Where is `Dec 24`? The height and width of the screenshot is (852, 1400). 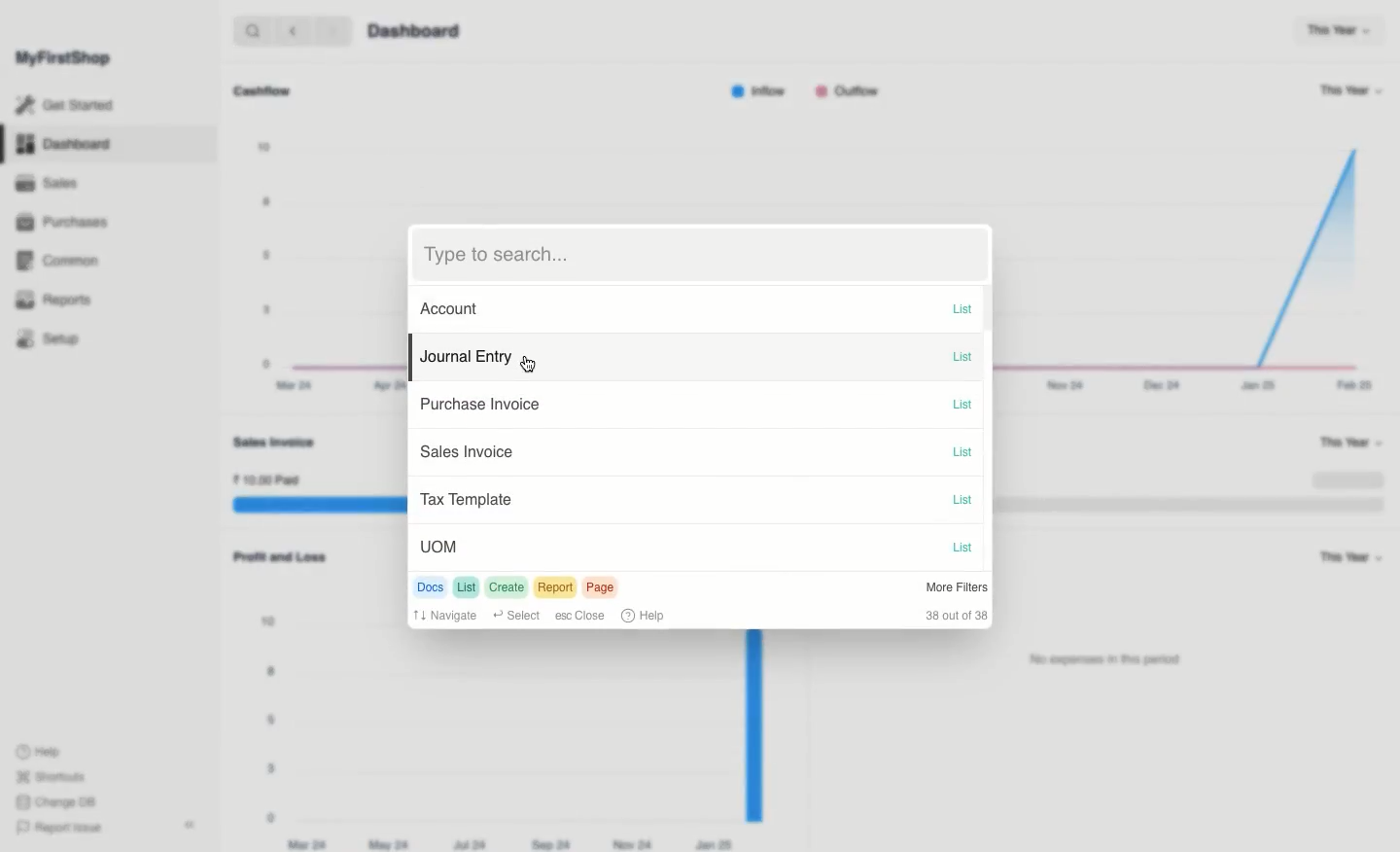 Dec 24 is located at coordinates (1162, 385).